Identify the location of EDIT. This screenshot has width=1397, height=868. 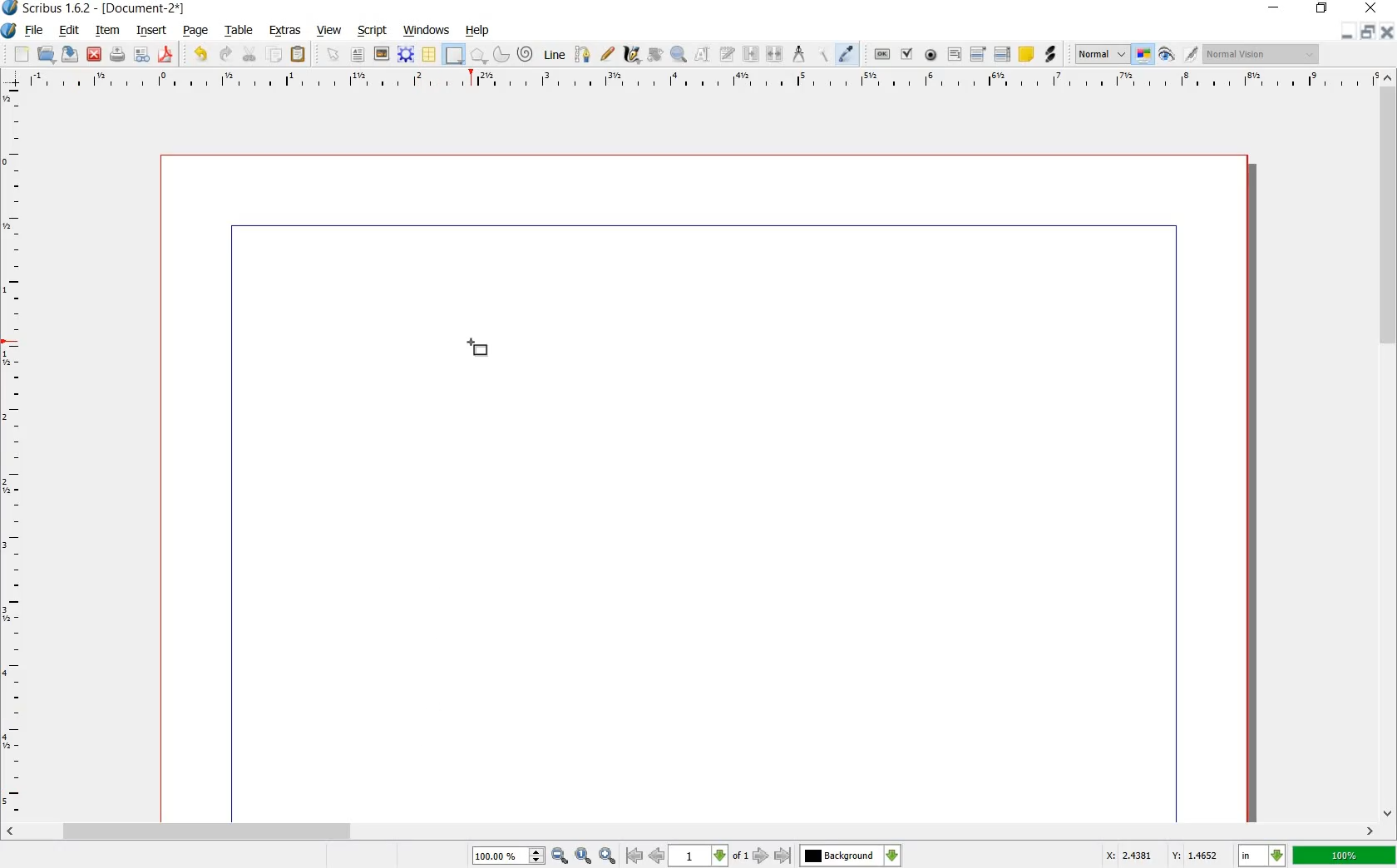
(68, 31).